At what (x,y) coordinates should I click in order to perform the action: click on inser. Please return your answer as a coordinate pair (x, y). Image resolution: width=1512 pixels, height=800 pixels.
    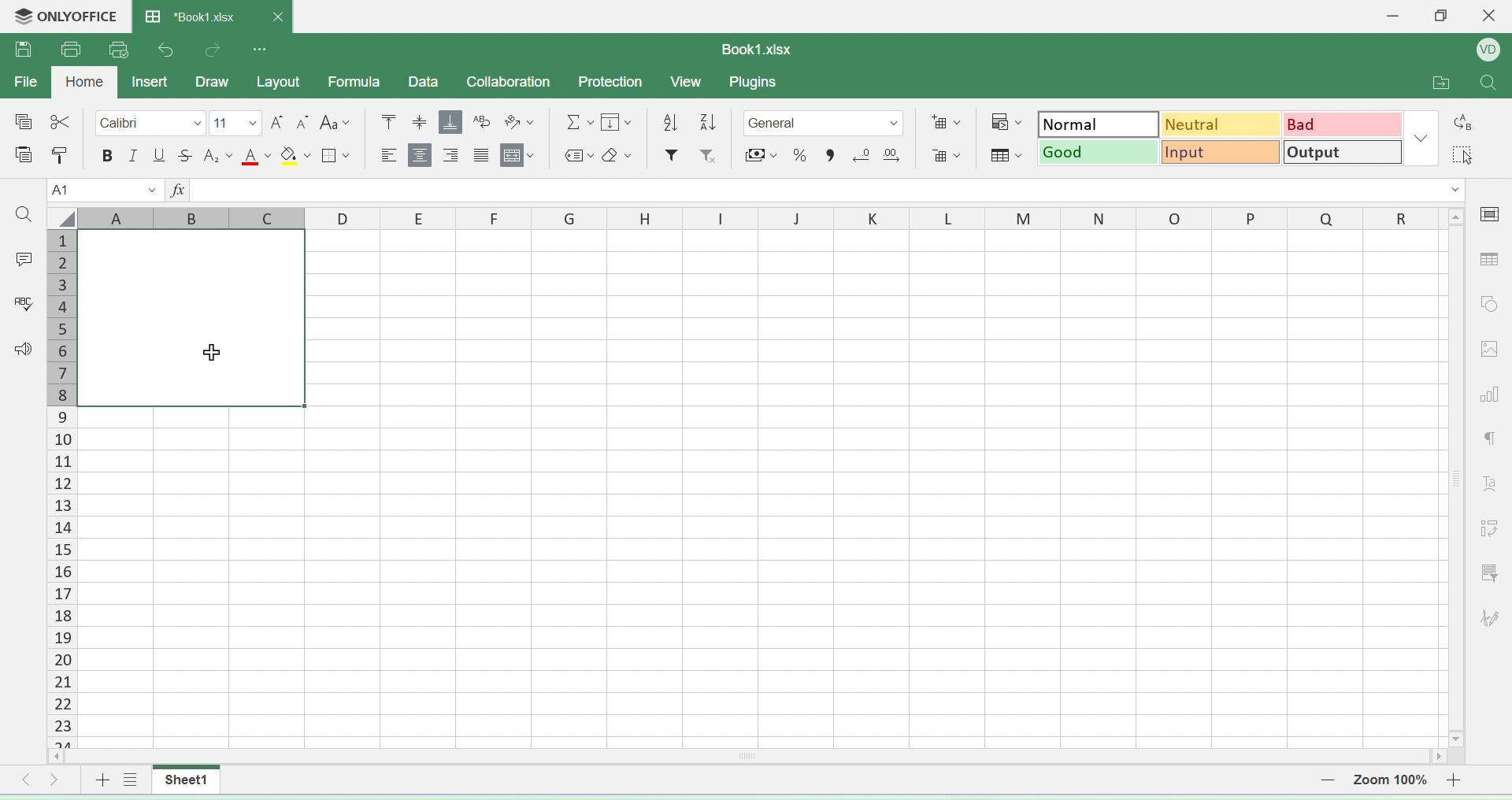
    Looking at the image, I should click on (151, 80).